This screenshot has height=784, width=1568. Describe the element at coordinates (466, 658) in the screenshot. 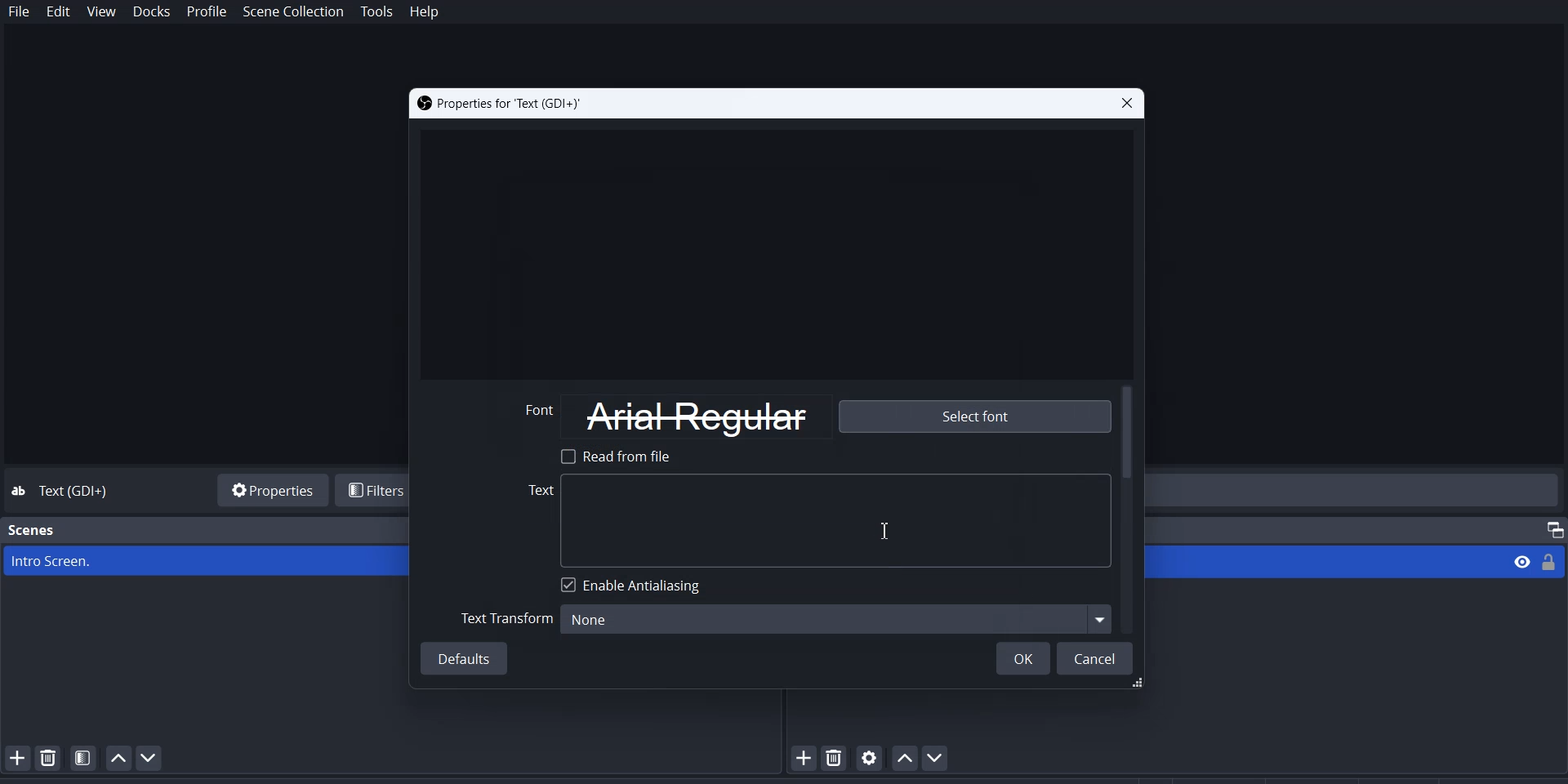

I see `Defaults` at that location.